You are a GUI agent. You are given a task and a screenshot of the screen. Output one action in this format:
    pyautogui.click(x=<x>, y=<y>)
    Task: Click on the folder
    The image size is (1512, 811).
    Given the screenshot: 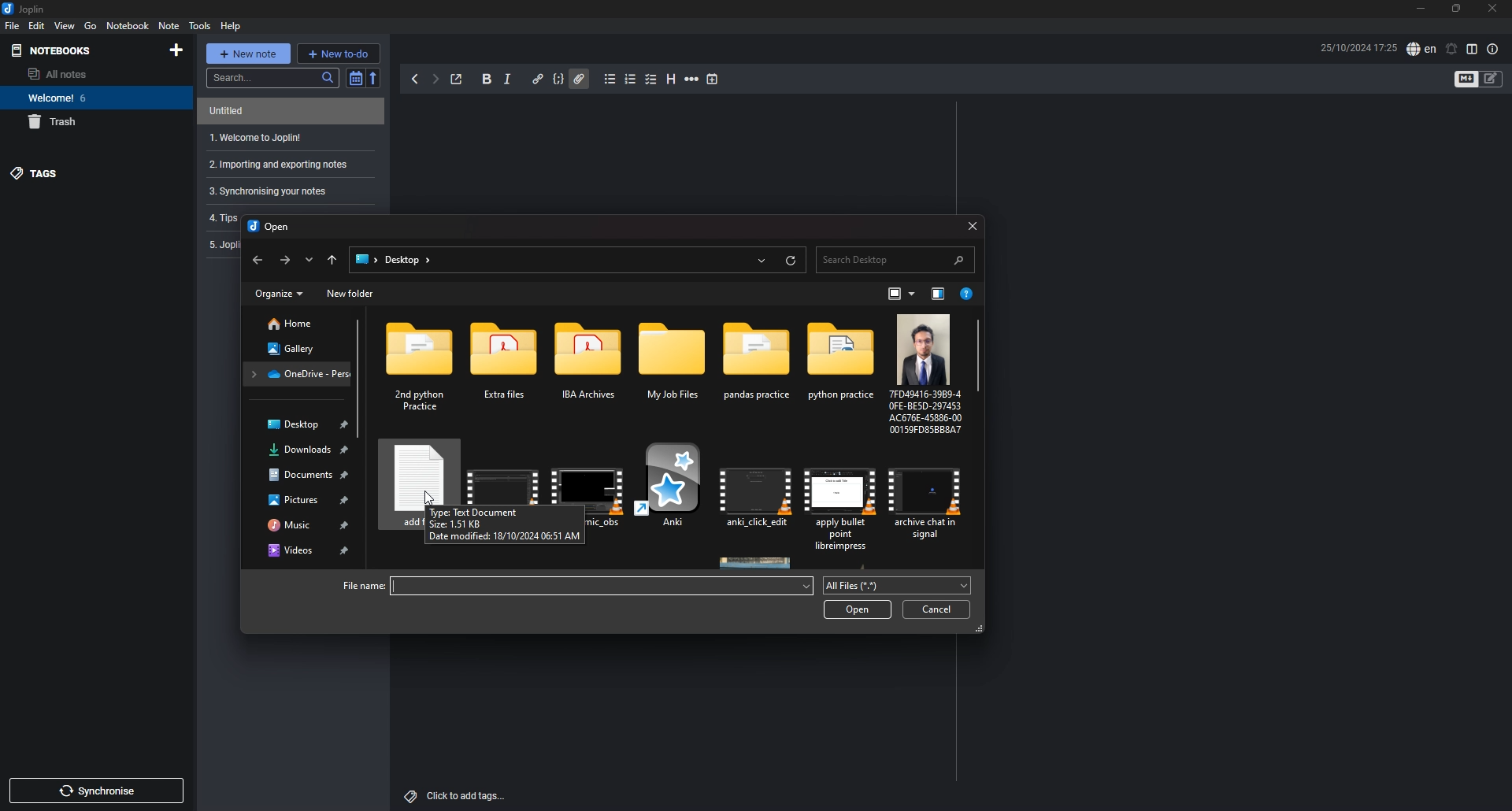 What is the action you would take?
    pyautogui.click(x=758, y=369)
    